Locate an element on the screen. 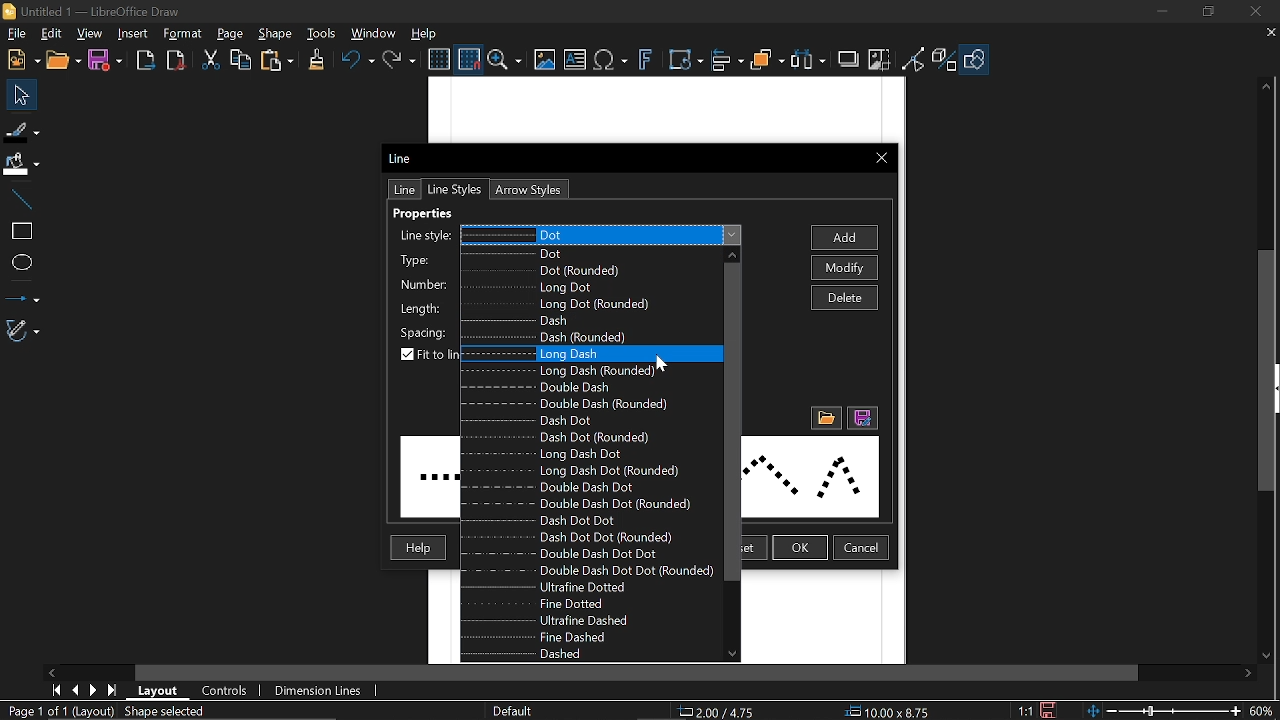 The image size is (1280, 720). Fit to the thickness is located at coordinates (429, 356).